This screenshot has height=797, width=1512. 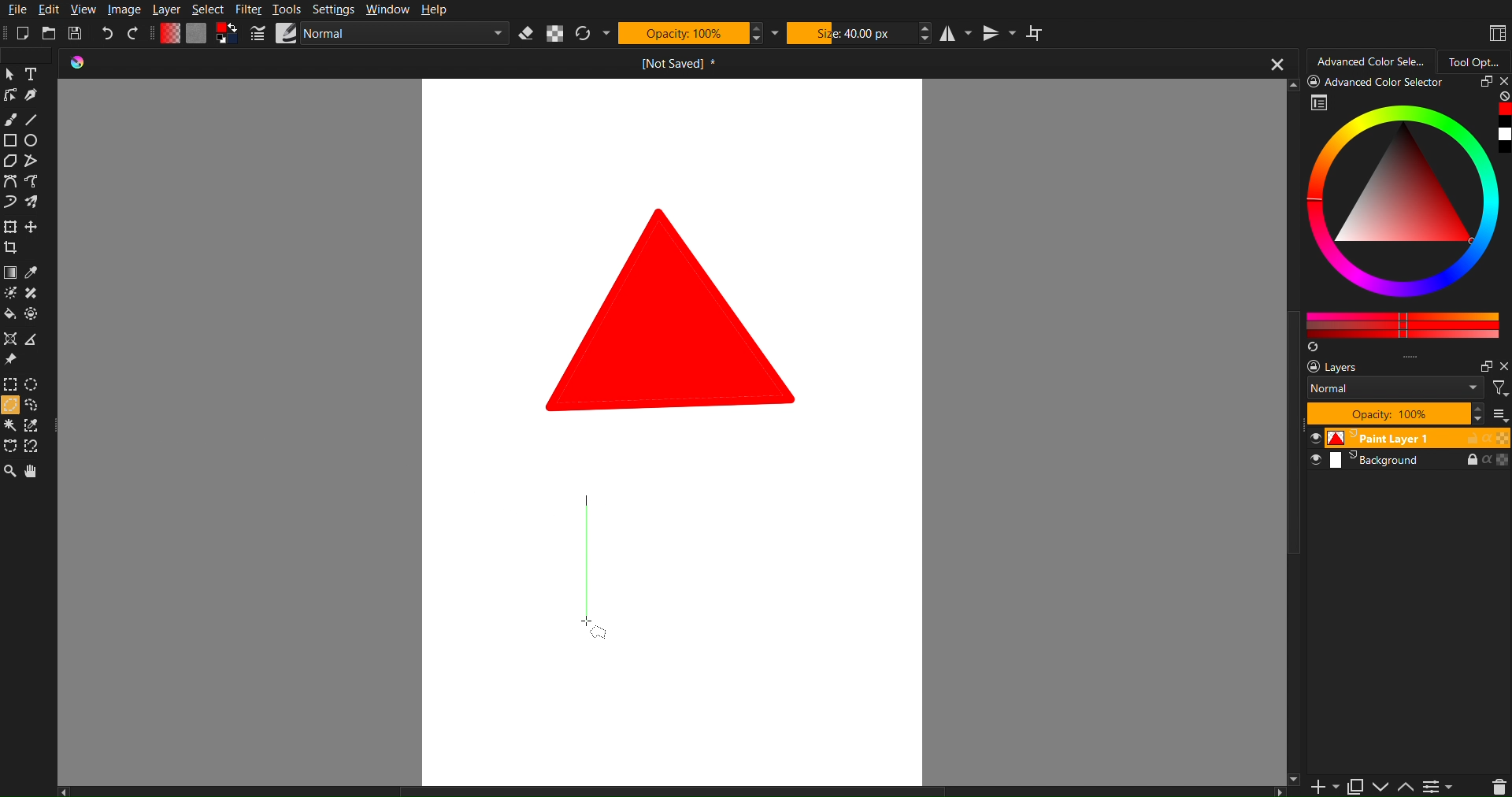 What do you see at coordinates (684, 35) in the screenshot?
I see `Opacity` at bounding box center [684, 35].